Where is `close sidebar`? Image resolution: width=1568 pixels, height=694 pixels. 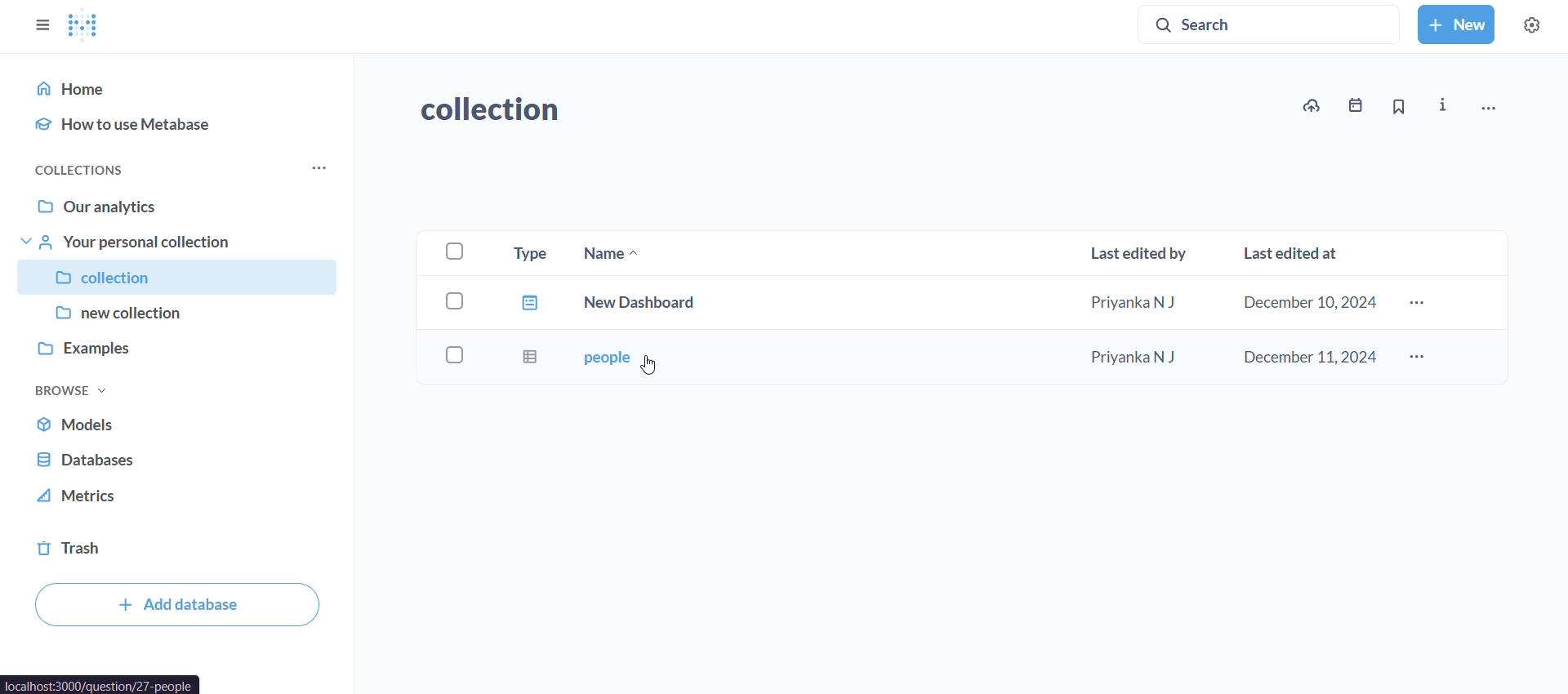
close sidebar is located at coordinates (41, 24).